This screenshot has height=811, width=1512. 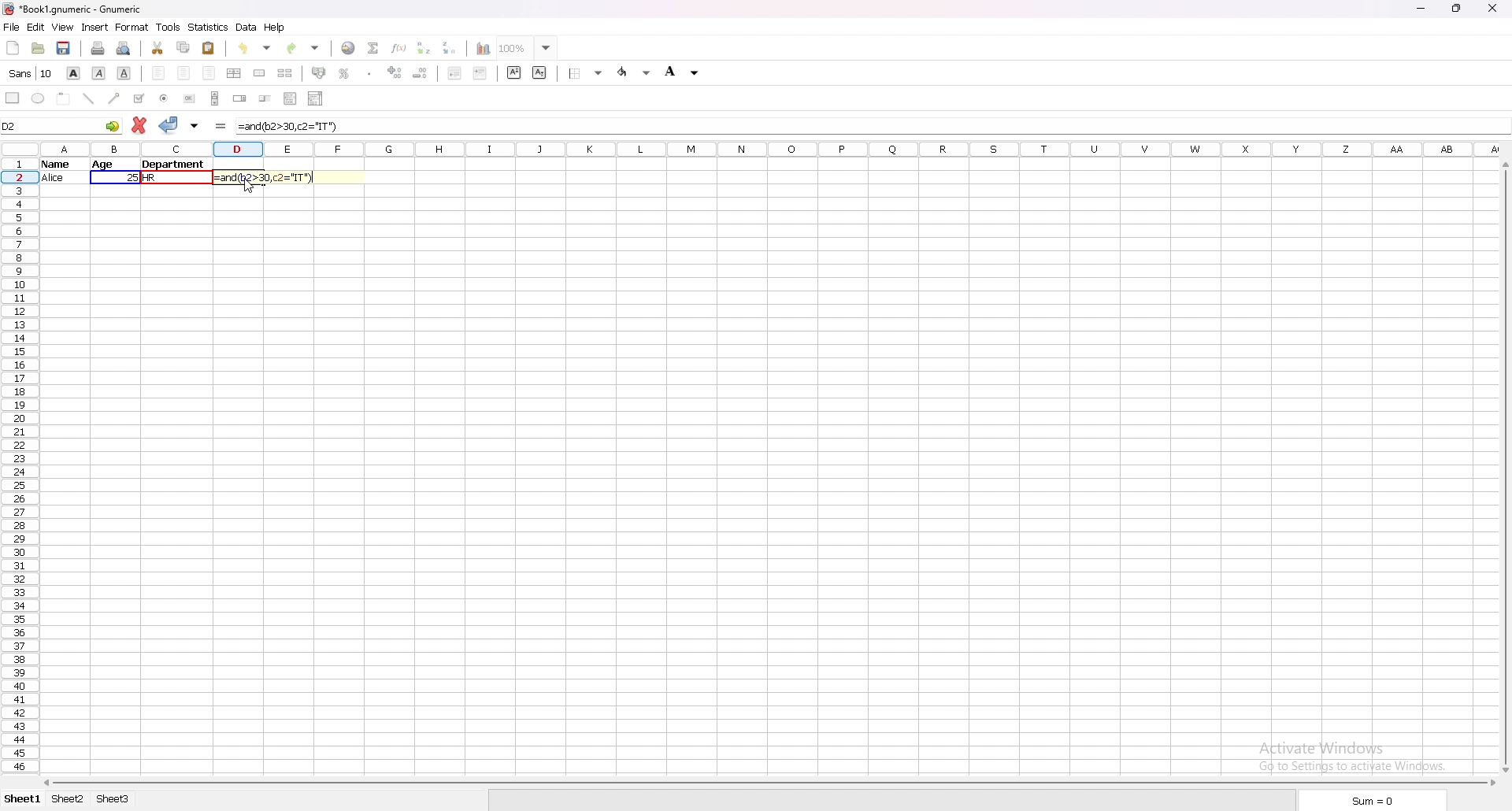 What do you see at coordinates (98, 48) in the screenshot?
I see `print` at bounding box center [98, 48].